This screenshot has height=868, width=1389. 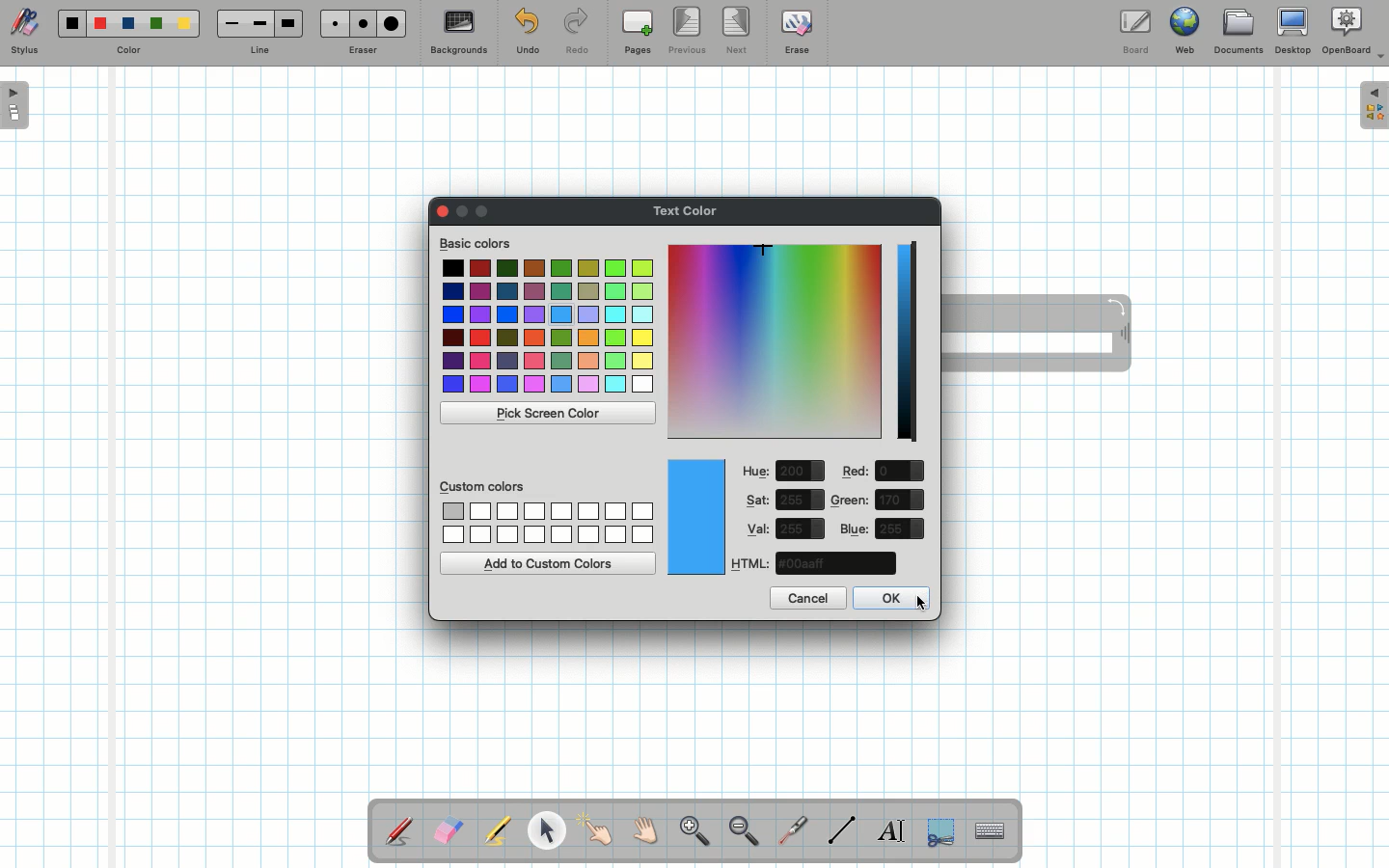 What do you see at coordinates (801, 472) in the screenshot?
I see `value` at bounding box center [801, 472].